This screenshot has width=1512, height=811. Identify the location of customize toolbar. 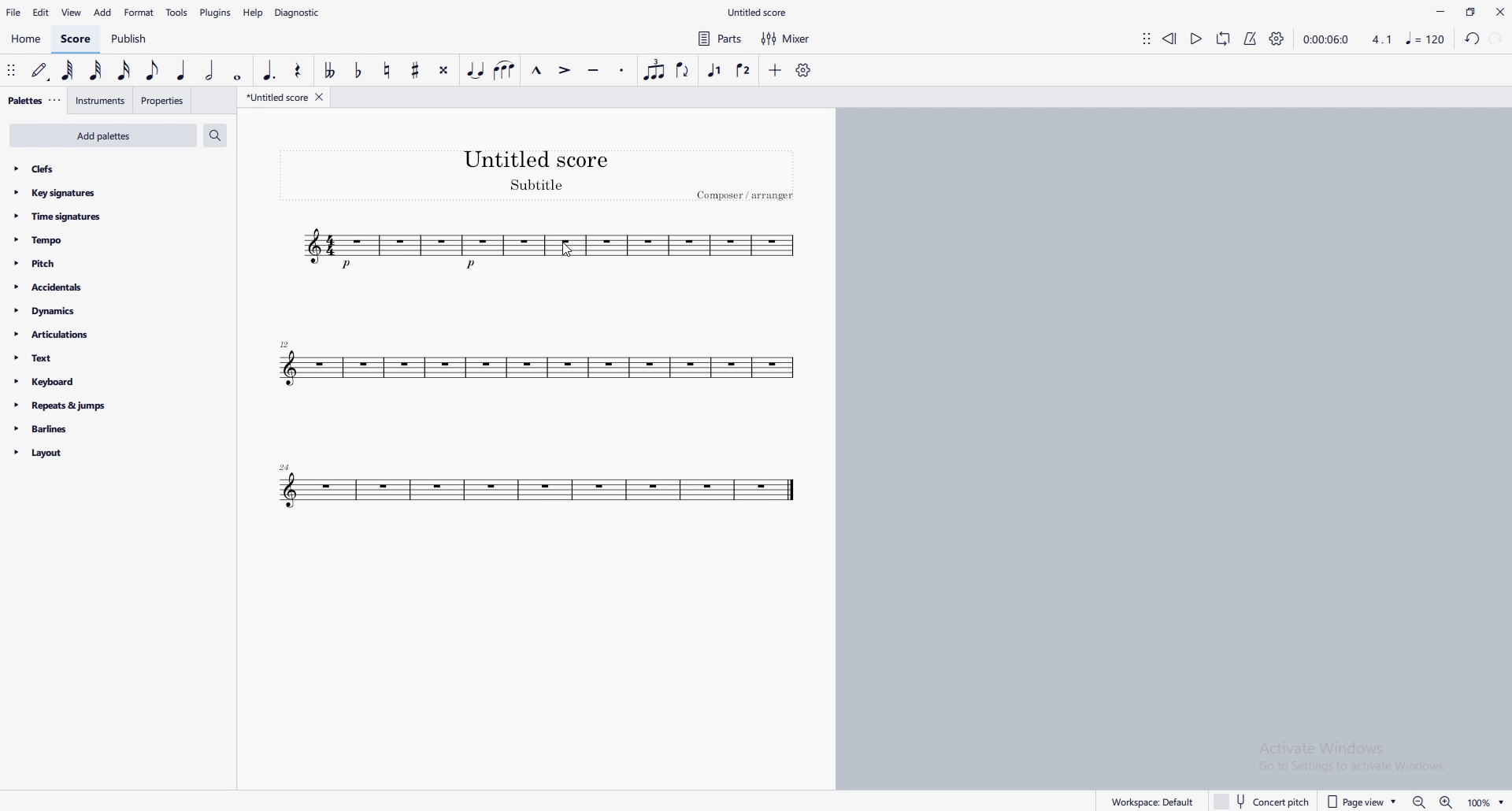
(803, 69).